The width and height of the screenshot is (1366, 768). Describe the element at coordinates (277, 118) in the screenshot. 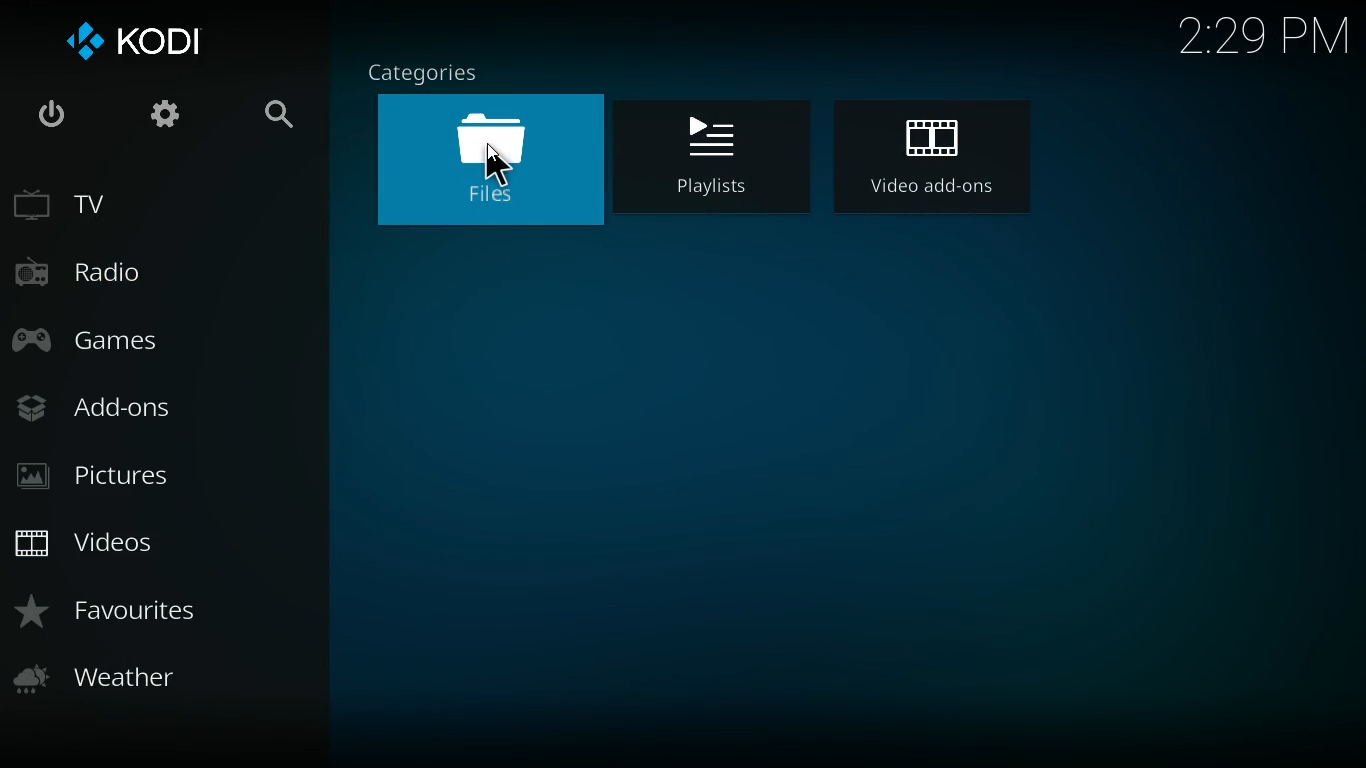

I see `search` at that location.